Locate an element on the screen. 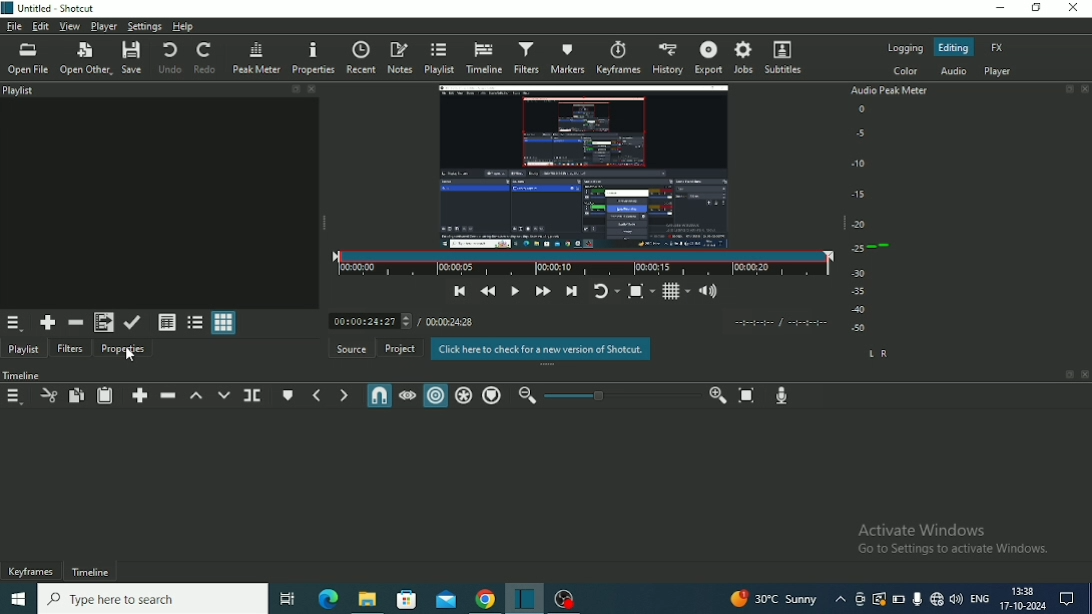 This screenshot has width=1092, height=614. Close is located at coordinates (1085, 89).